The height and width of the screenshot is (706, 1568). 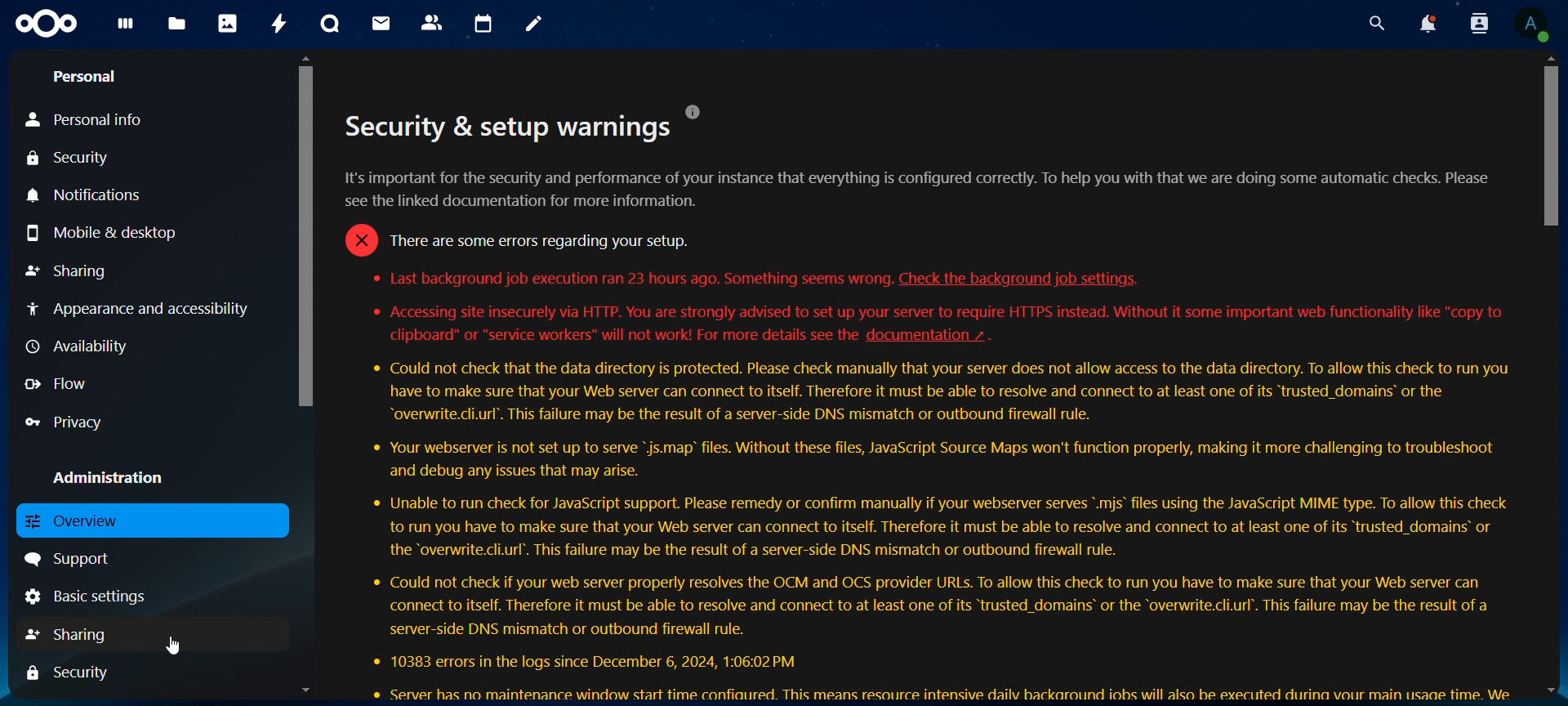 I want to click on appearance and accessibility, so click(x=143, y=308).